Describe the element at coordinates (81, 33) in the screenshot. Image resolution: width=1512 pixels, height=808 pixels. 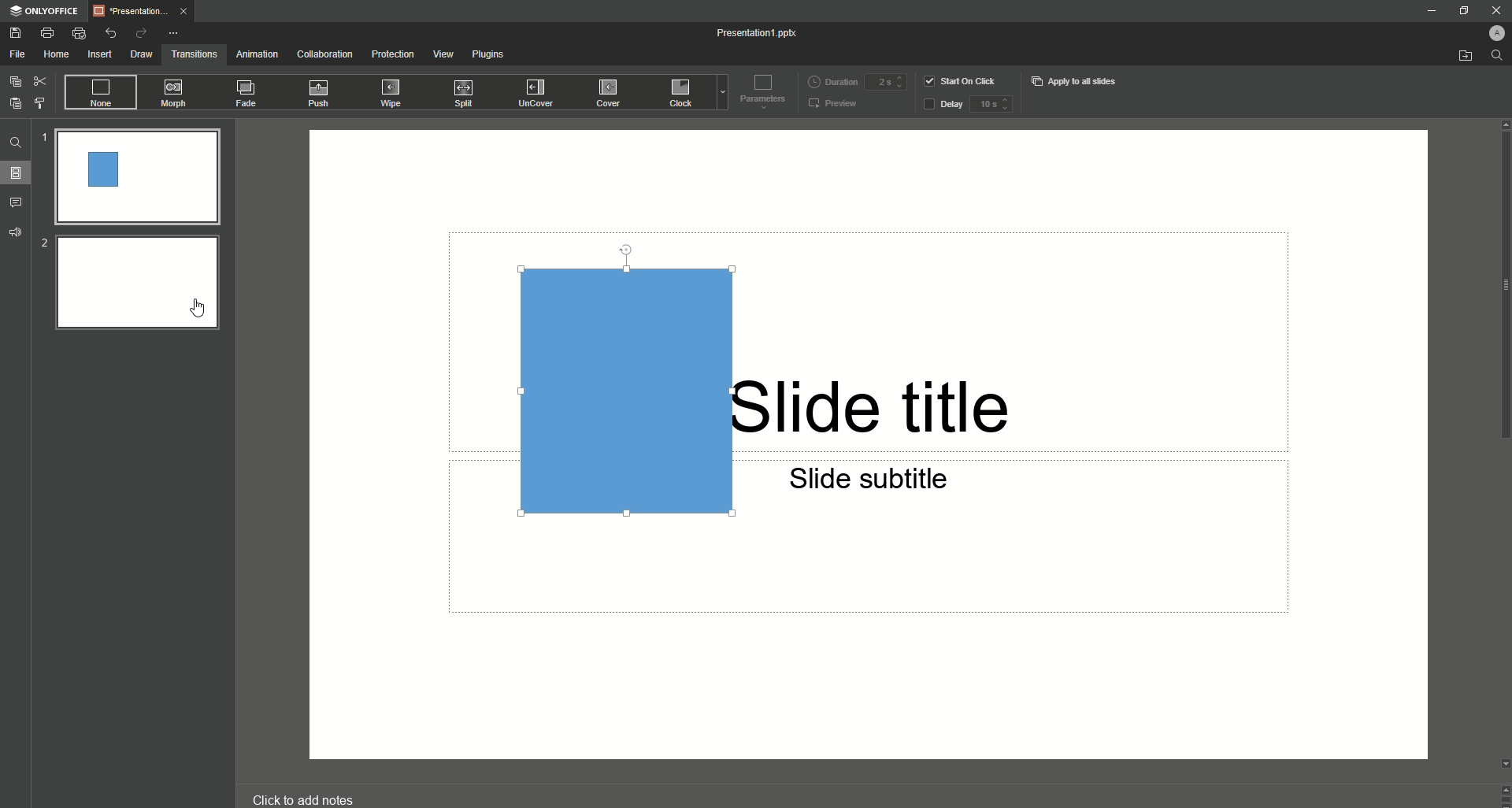
I see `Quick Print` at that location.